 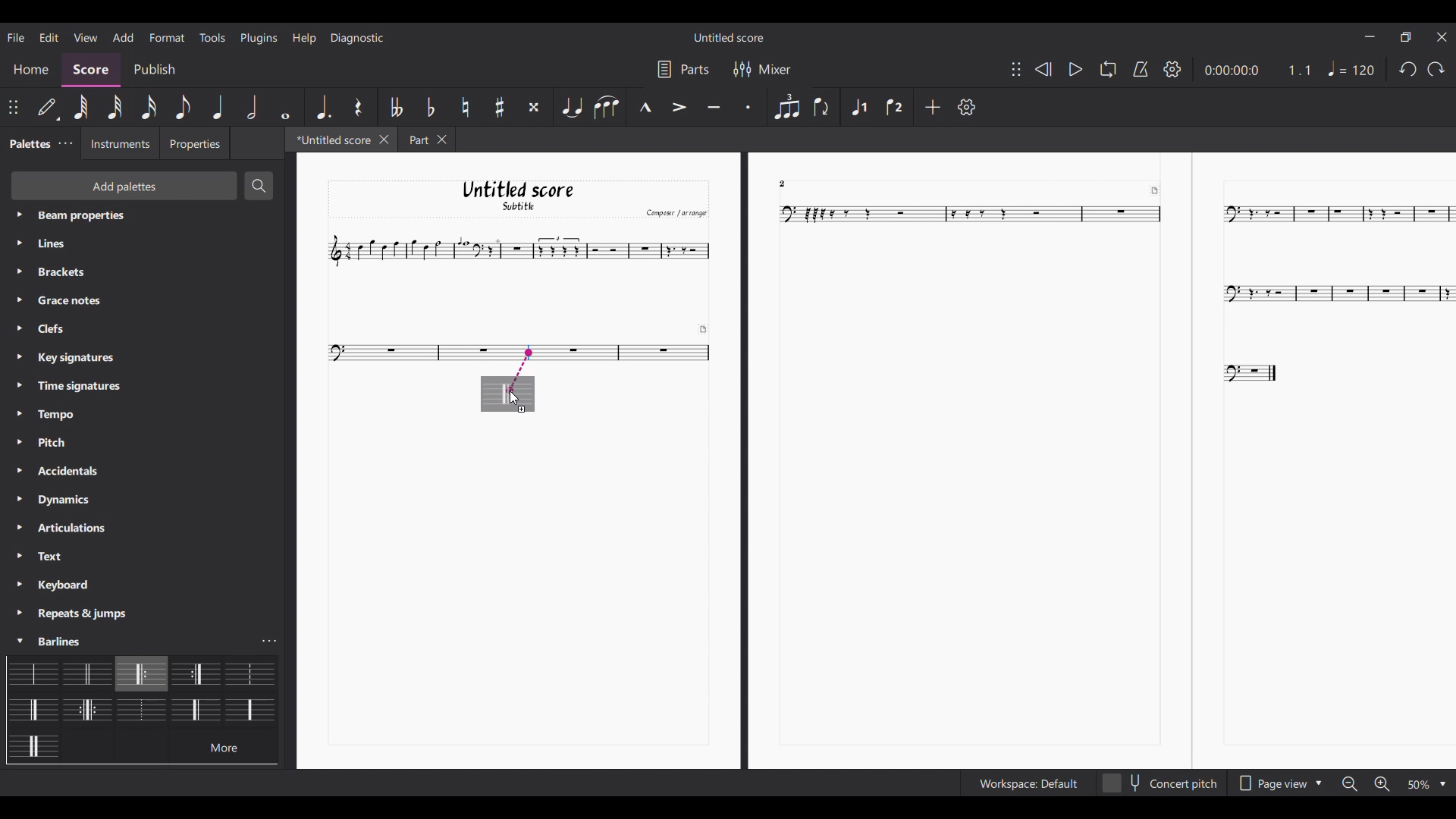 What do you see at coordinates (52, 639) in the screenshot?
I see `Palette settings` at bounding box center [52, 639].